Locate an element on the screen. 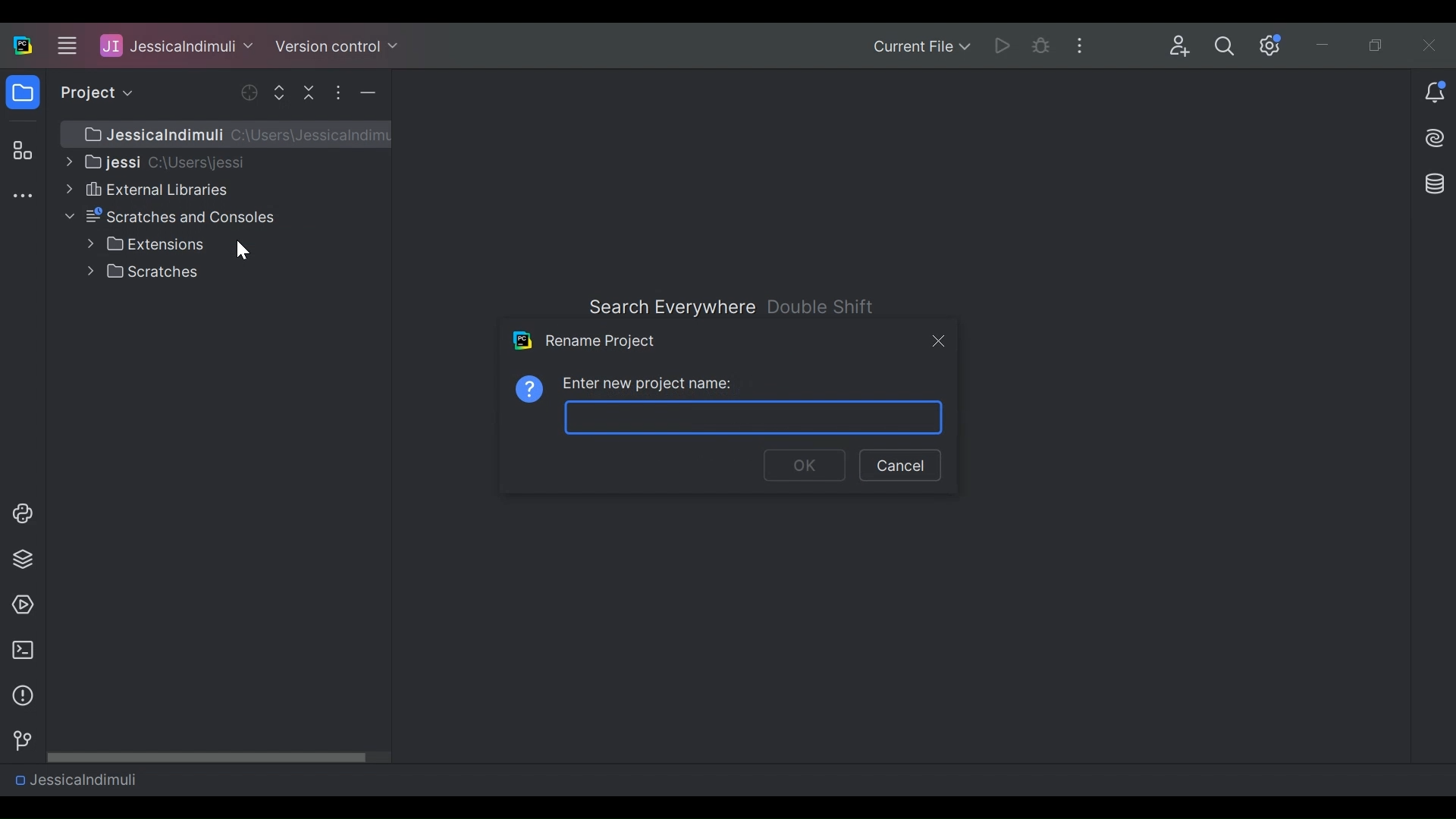 This screenshot has height=819, width=1456. Search is located at coordinates (1225, 46).